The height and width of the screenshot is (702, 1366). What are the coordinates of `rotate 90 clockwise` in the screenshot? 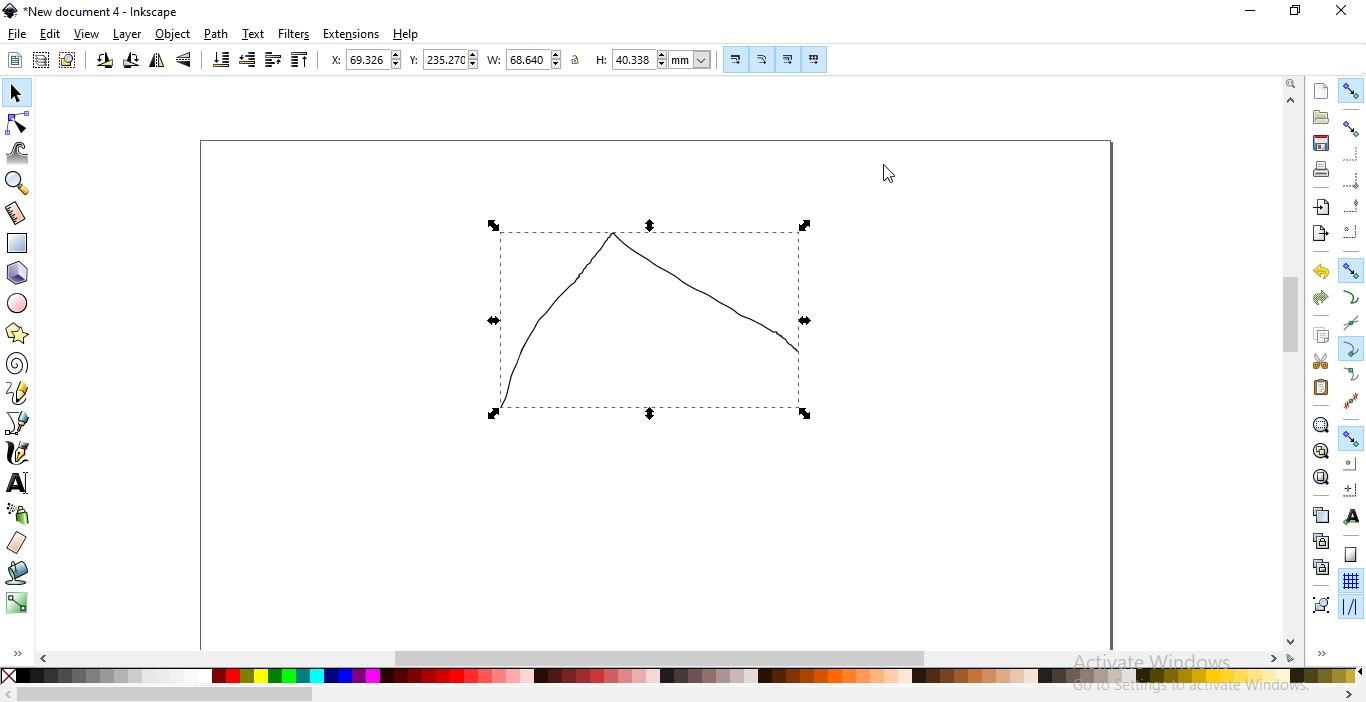 It's located at (131, 59).